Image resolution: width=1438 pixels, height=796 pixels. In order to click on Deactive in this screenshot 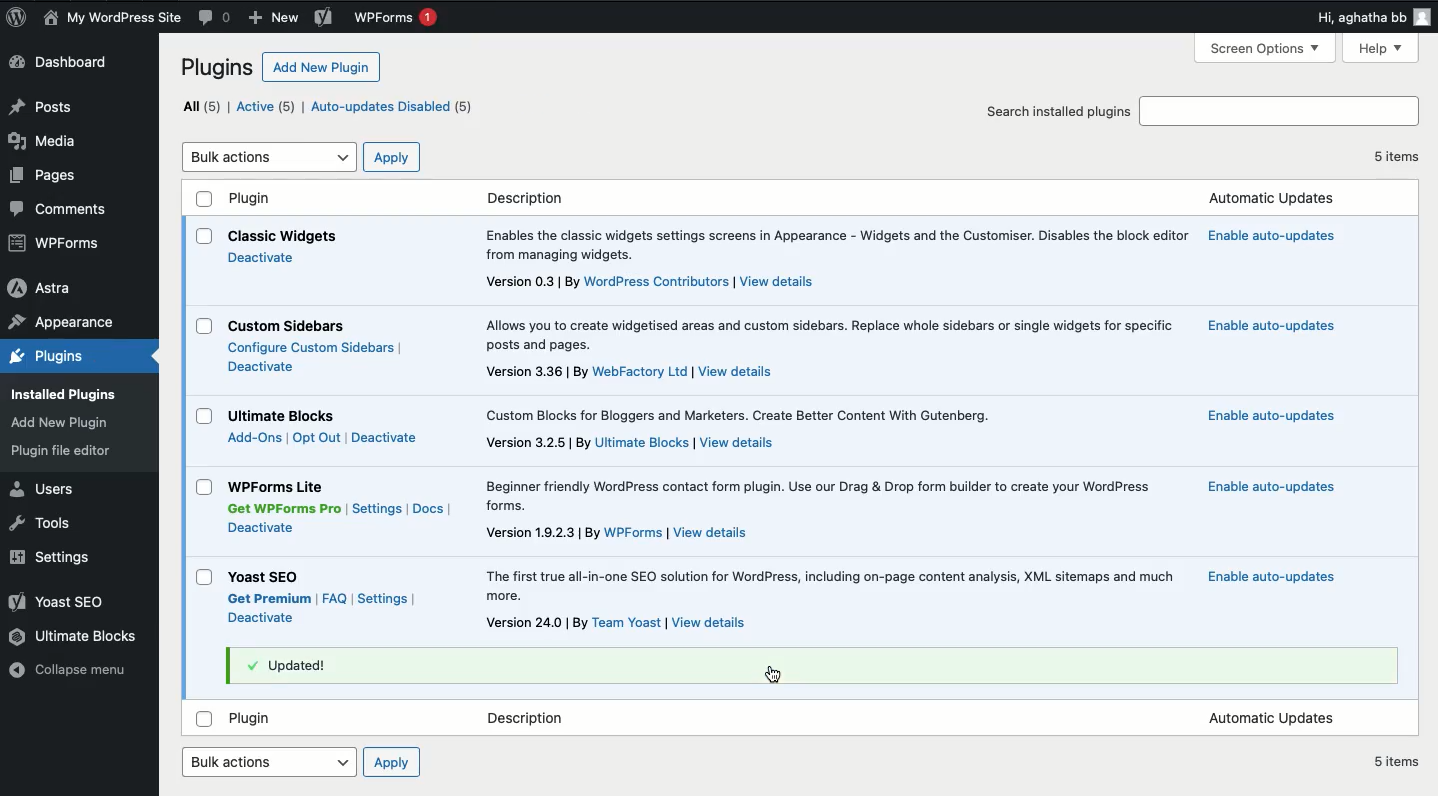, I will do `click(262, 257)`.